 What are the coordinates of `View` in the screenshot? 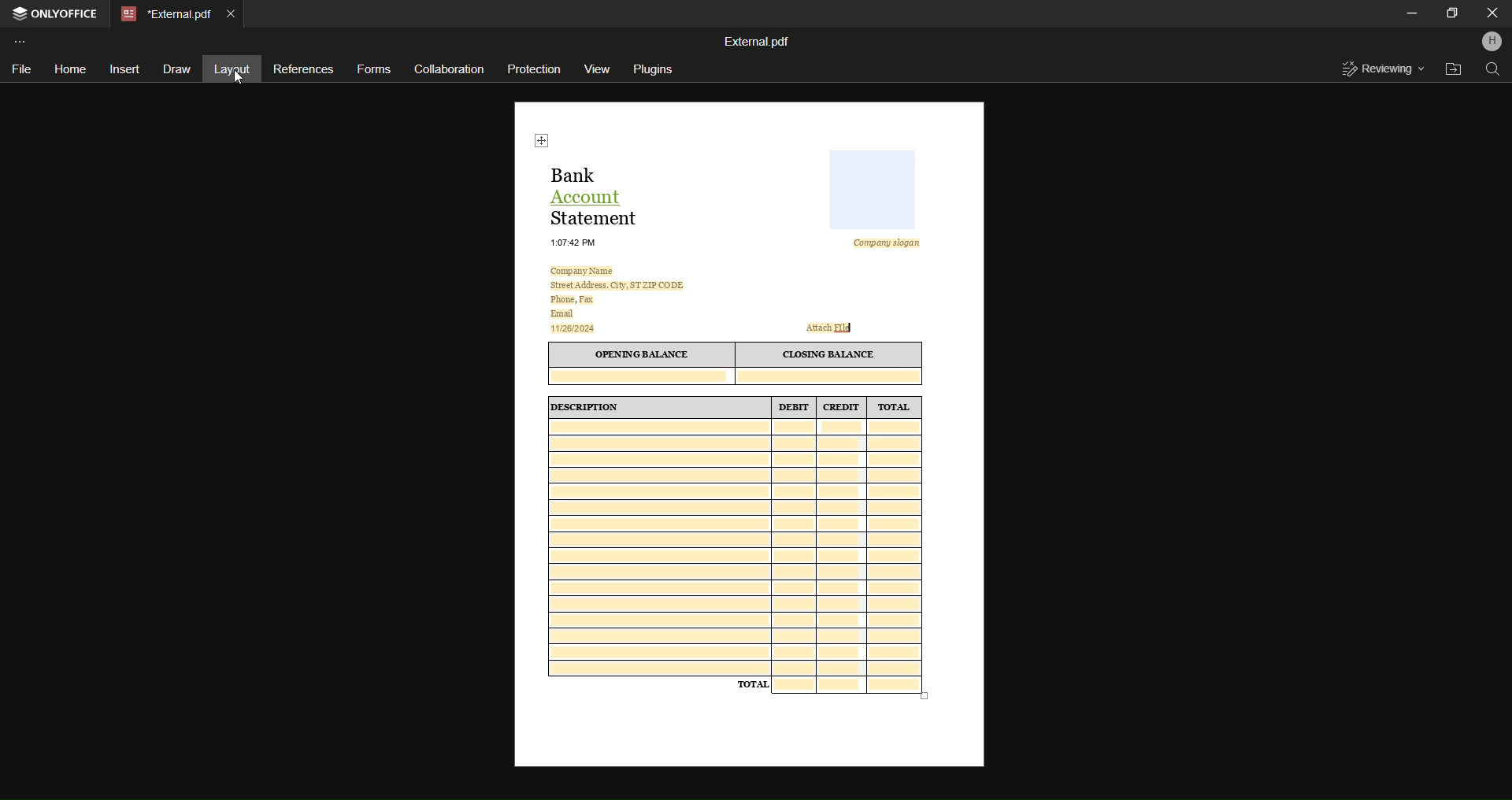 It's located at (596, 68).